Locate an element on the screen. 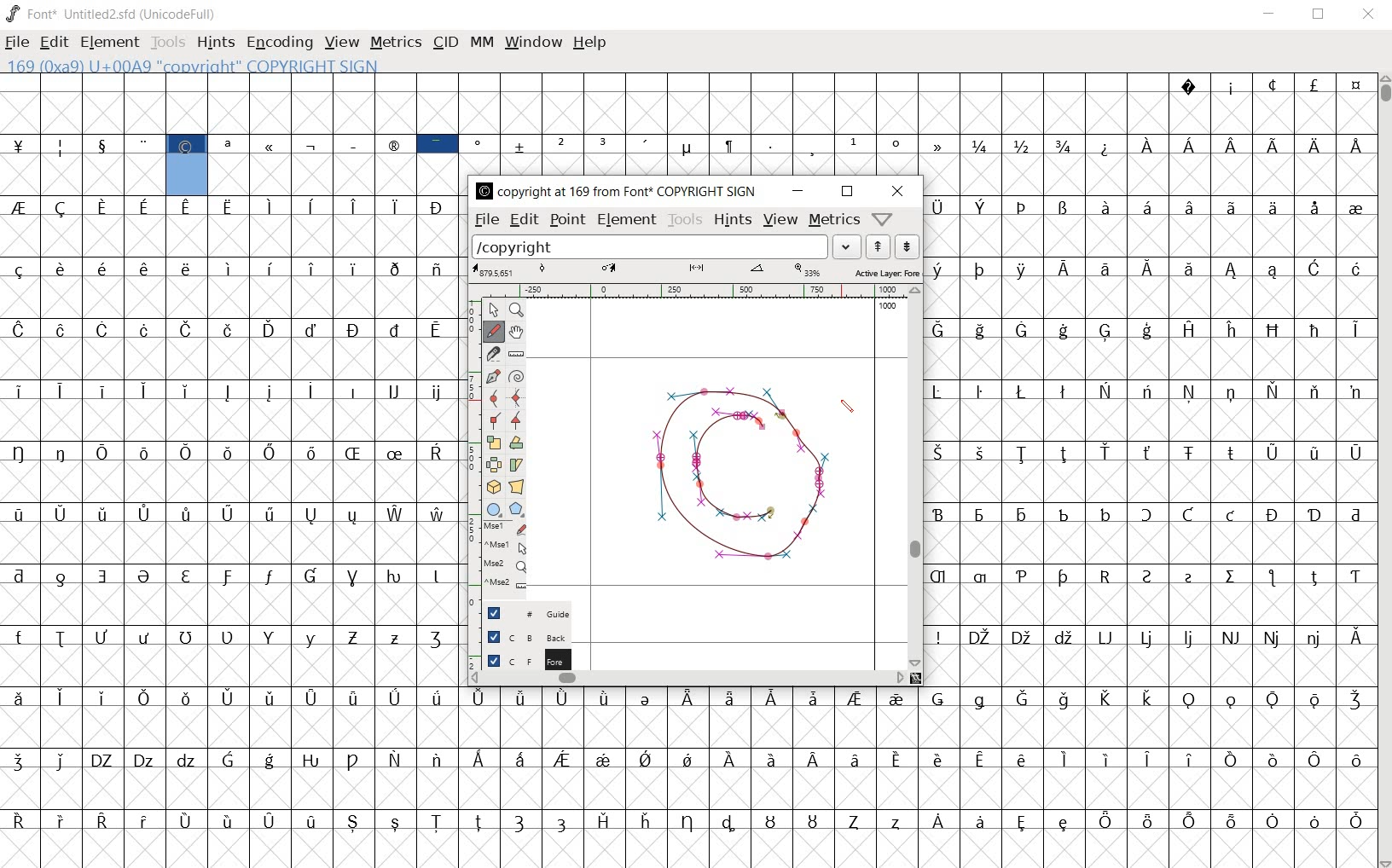 The image size is (1392, 868). show the next word on the list is located at coordinates (877, 246).